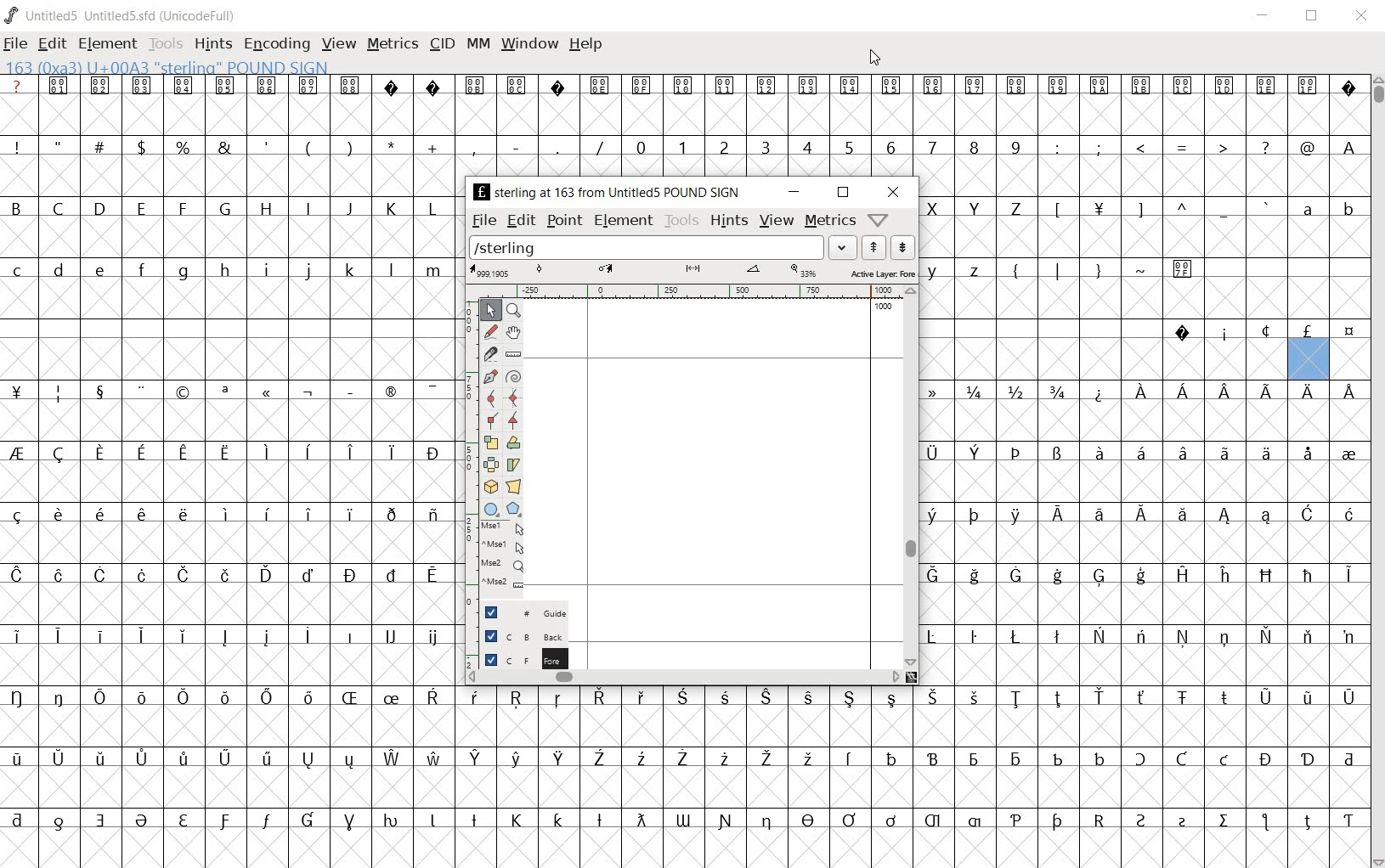 The width and height of the screenshot is (1385, 868). Describe the element at coordinates (1180, 454) in the screenshot. I see `Symbol` at that location.